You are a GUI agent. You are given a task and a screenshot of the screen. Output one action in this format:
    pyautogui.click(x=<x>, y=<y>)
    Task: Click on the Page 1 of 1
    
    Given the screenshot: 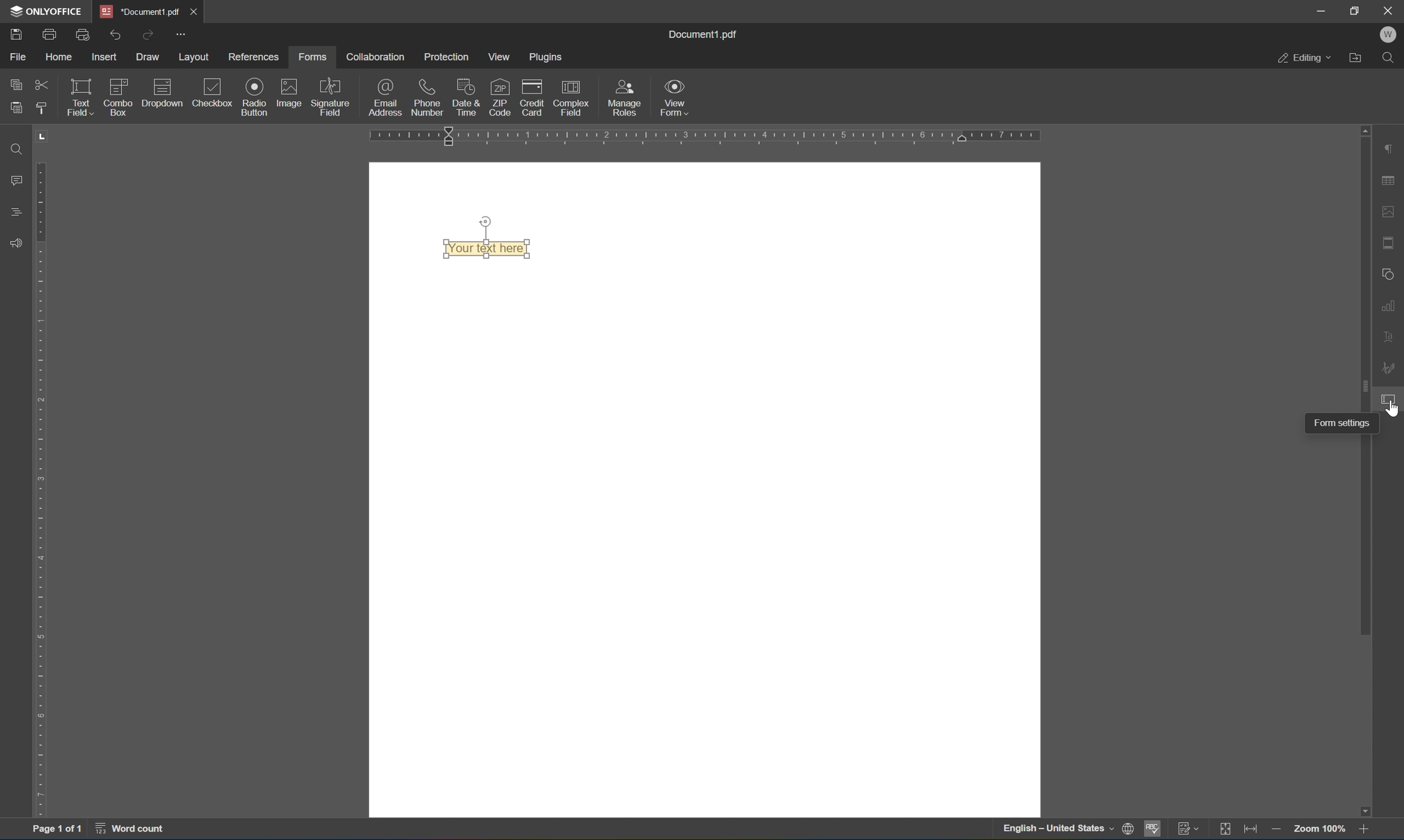 What is the action you would take?
    pyautogui.click(x=58, y=830)
    